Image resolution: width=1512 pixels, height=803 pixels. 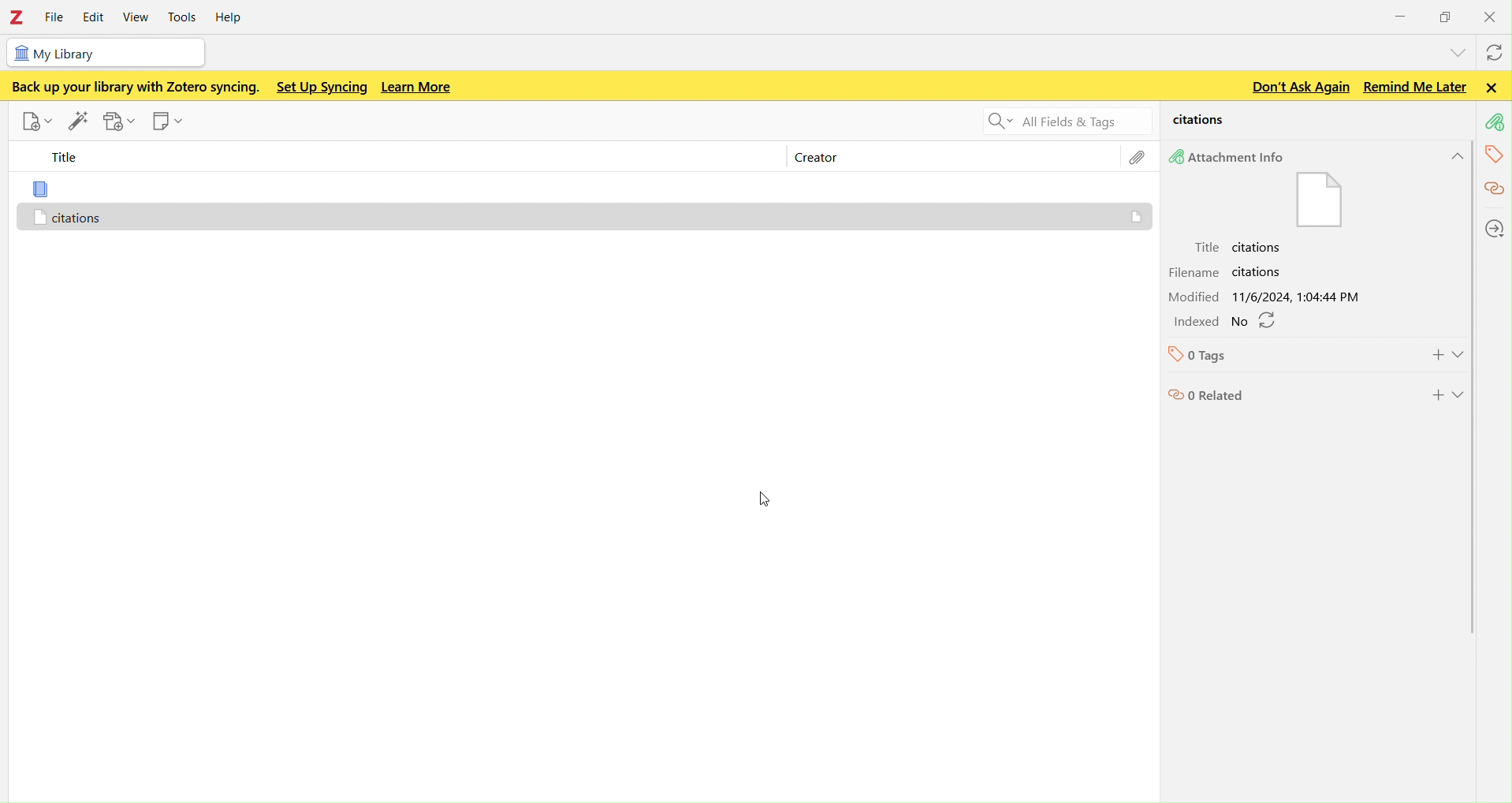 What do you see at coordinates (1492, 88) in the screenshot?
I see `Close` at bounding box center [1492, 88].